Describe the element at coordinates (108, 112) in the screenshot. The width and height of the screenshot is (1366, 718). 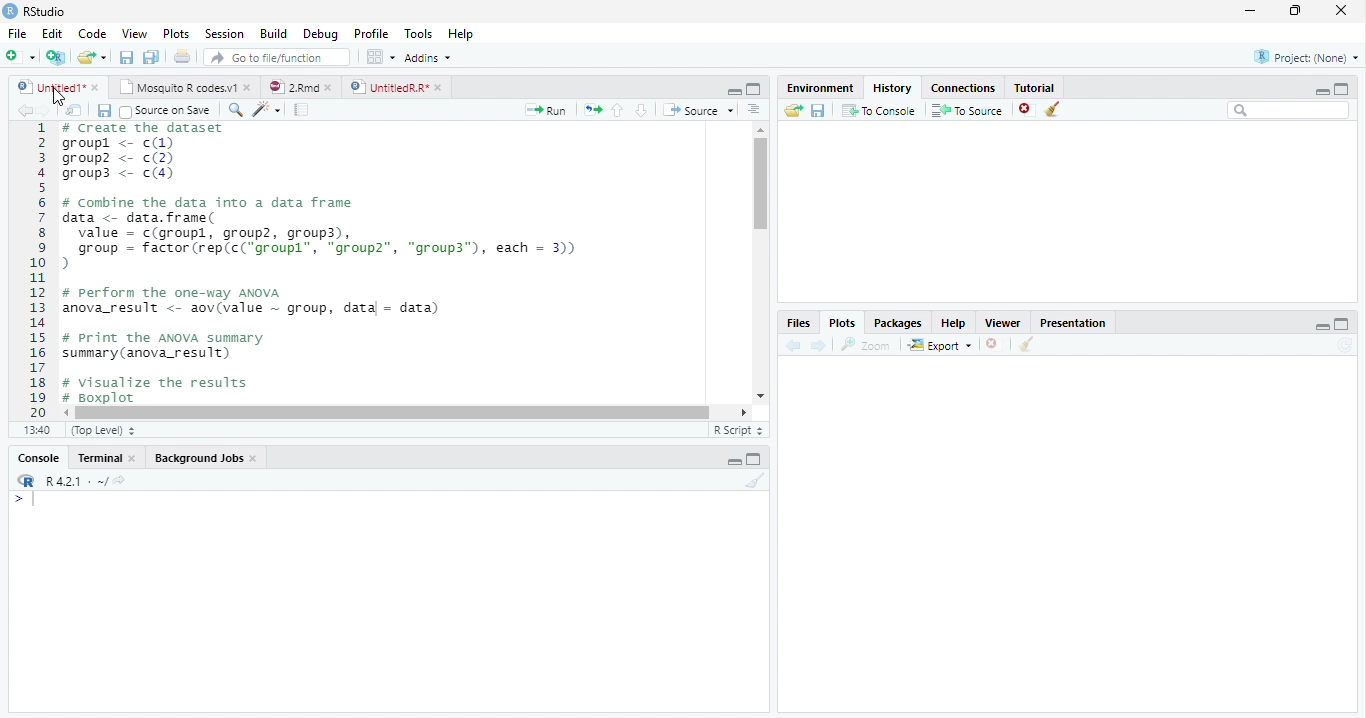
I see `Save all` at that location.